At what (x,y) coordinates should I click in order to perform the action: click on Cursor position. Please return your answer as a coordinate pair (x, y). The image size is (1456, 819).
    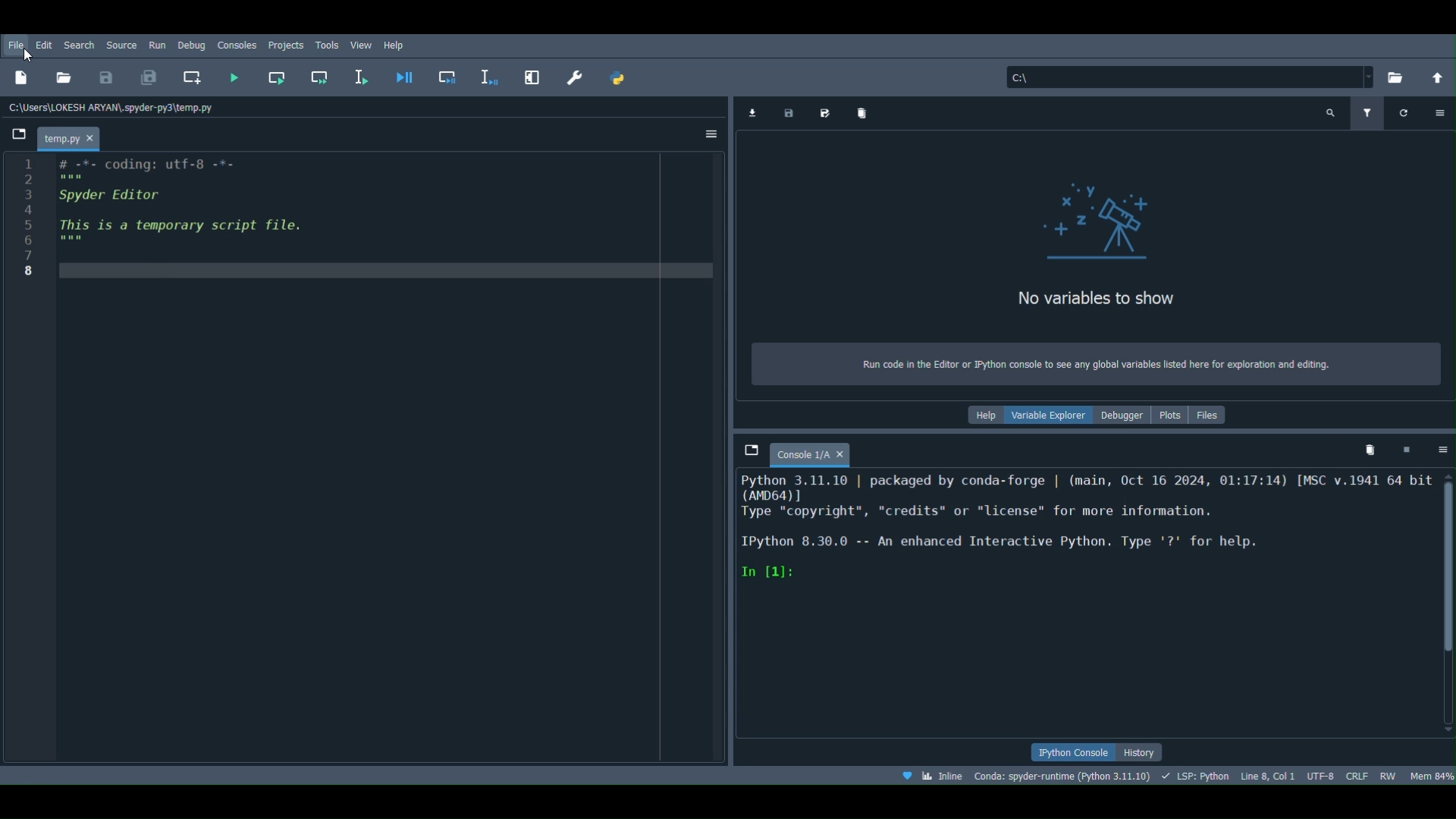
    Looking at the image, I should click on (1266, 774).